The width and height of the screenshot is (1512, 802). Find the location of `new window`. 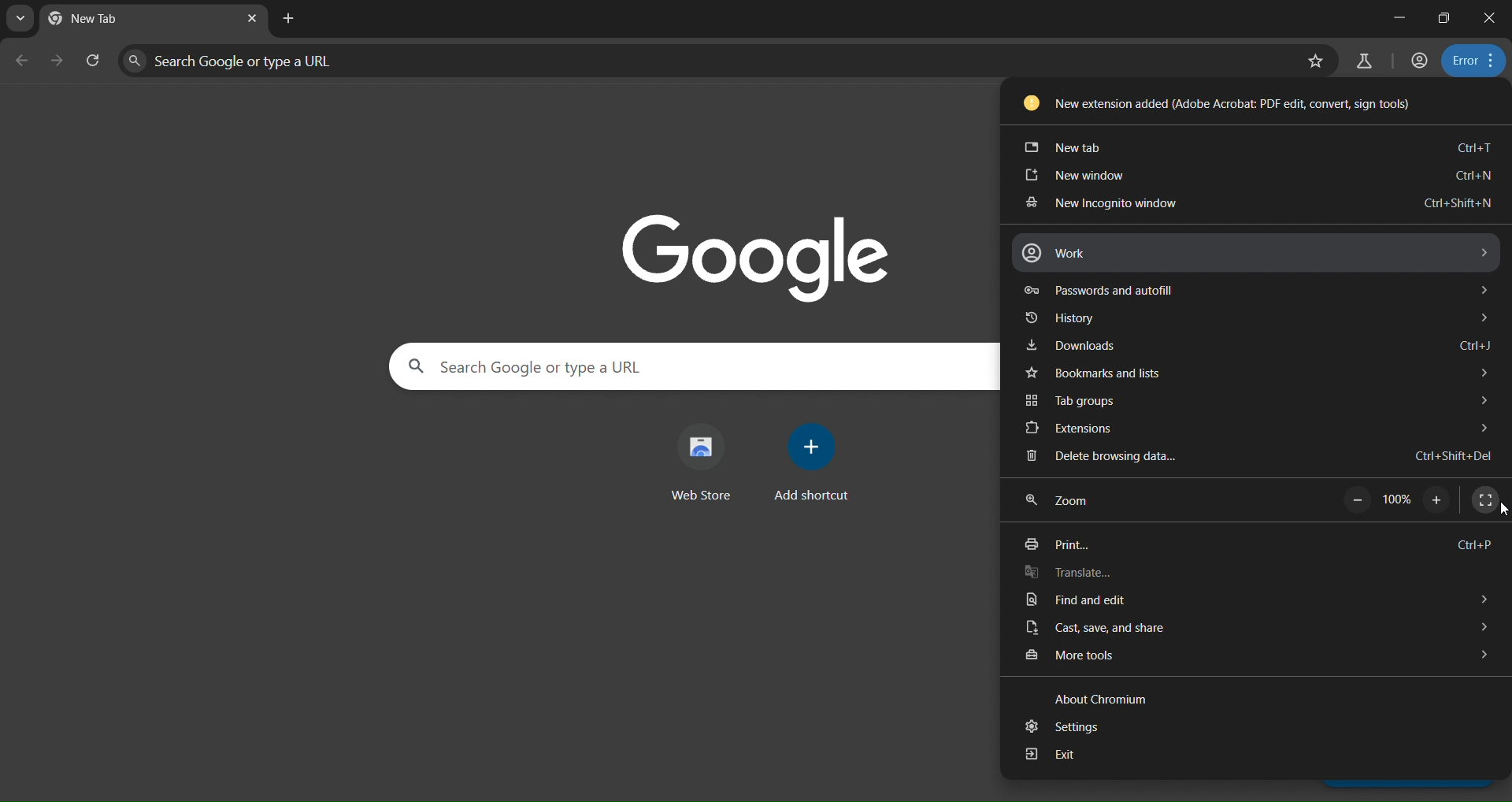

new window is located at coordinates (1257, 177).